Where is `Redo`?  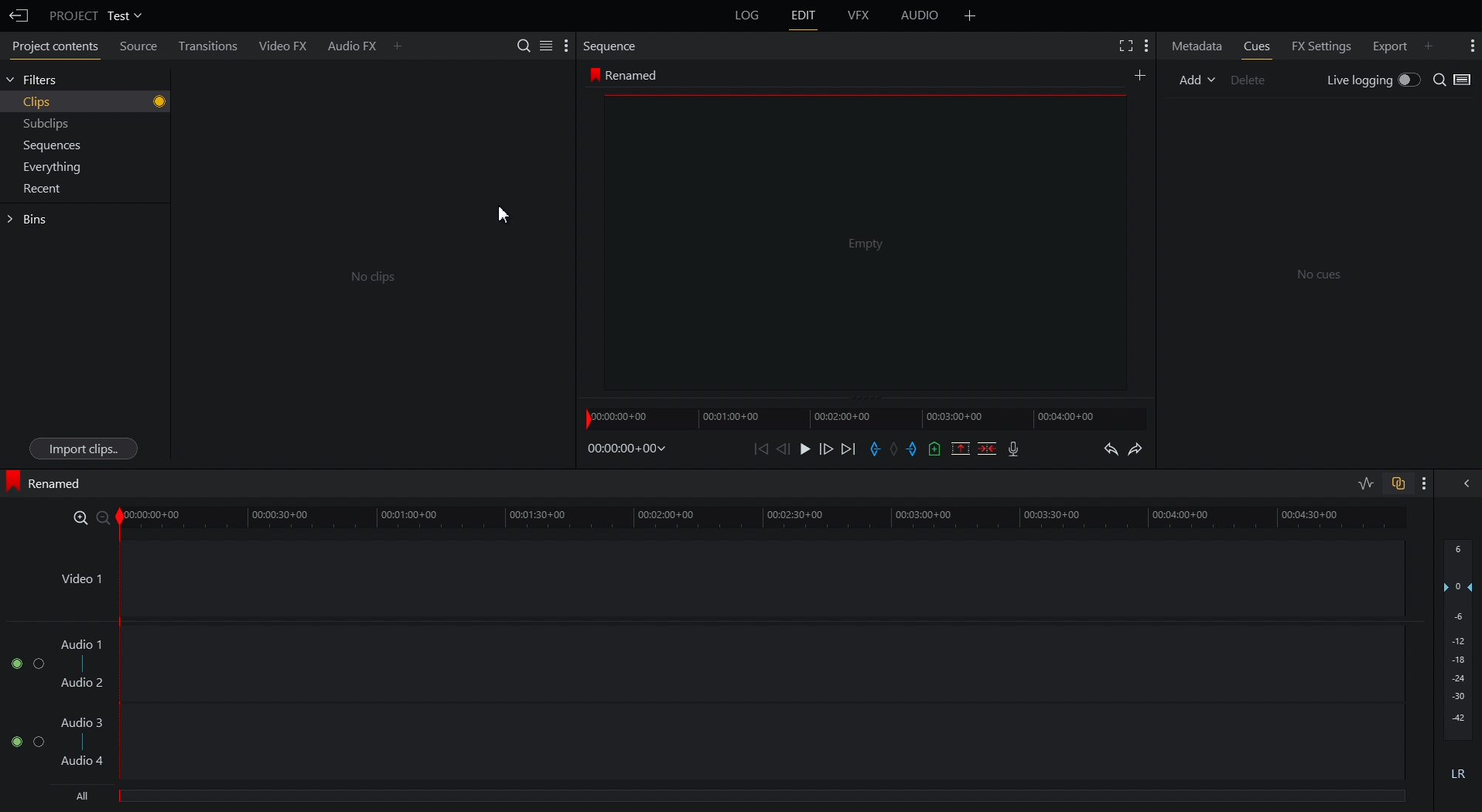 Redo is located at coordinates (1143, 448).